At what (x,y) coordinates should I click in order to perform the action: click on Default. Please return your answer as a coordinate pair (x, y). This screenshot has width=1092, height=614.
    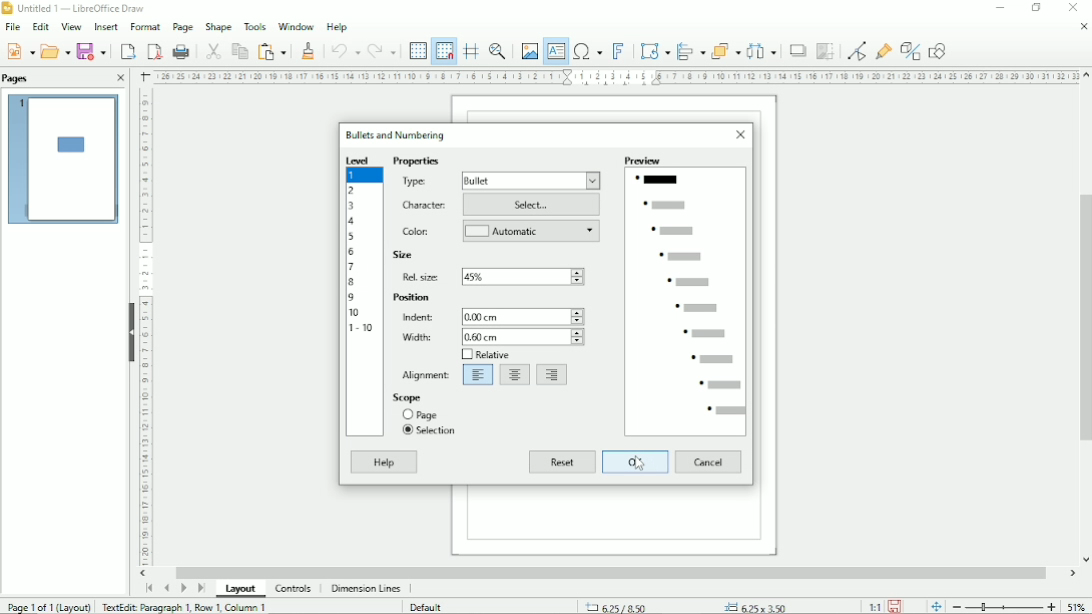
    Looking at the image, I should click on (428, 606).